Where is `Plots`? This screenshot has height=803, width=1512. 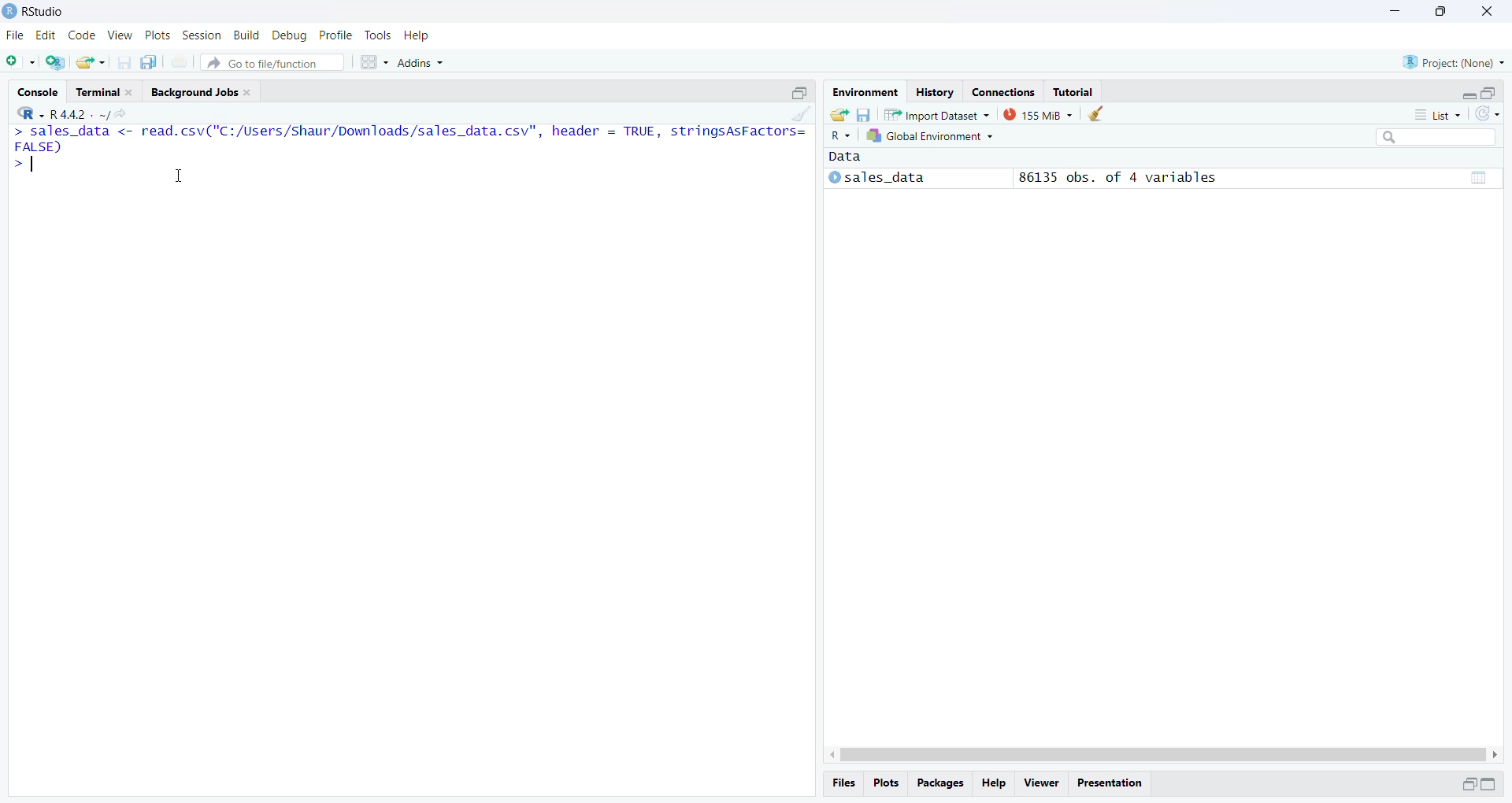 Plots is located at coordinates (888, 783).